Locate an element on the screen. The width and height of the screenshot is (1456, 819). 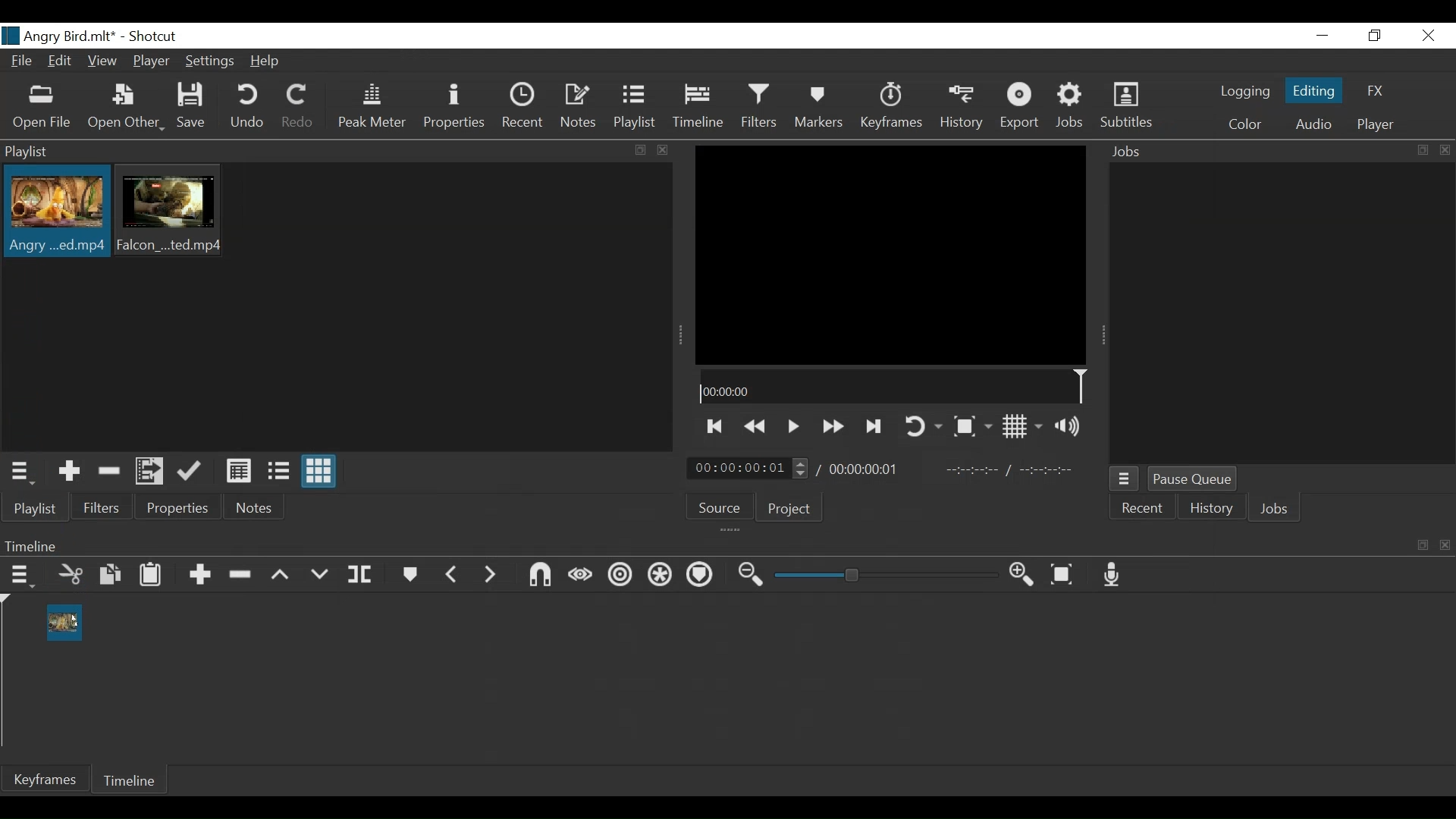
Toggle play forward quickly is located at coordinates (835, 425).